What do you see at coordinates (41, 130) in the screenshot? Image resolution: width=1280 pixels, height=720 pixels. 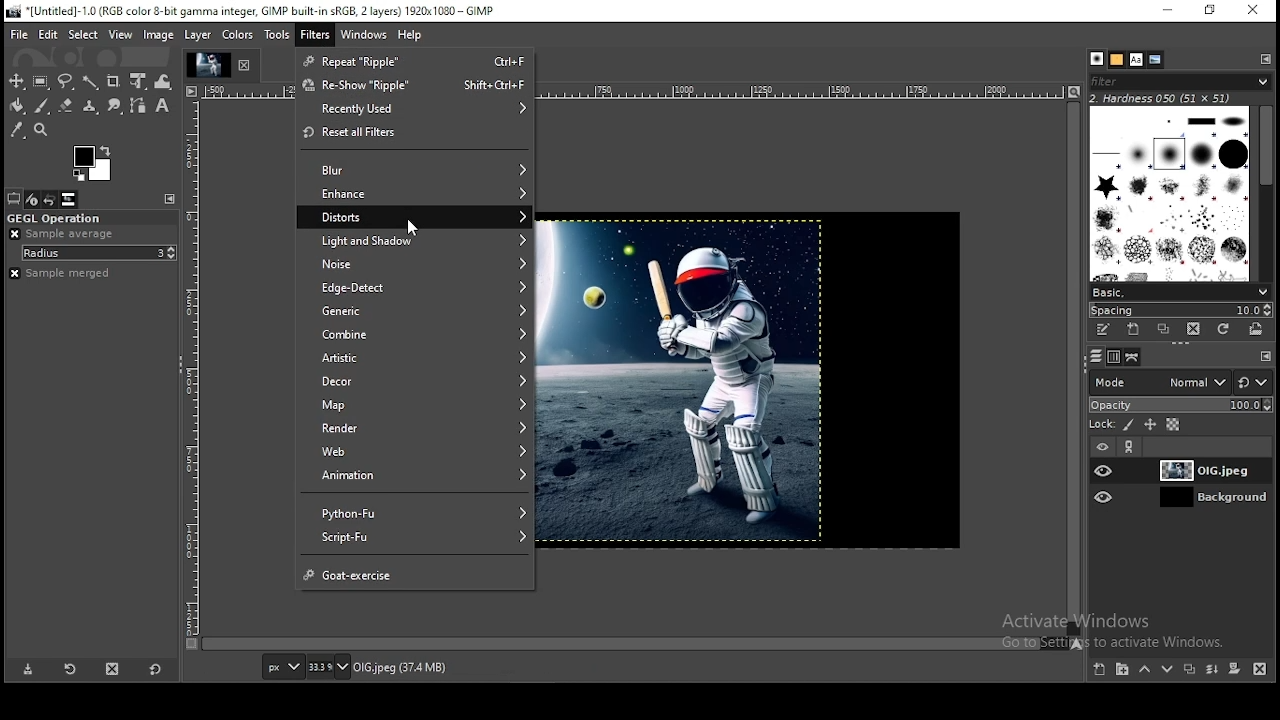 I see `zoom tool` at bounding box center [41, 130].